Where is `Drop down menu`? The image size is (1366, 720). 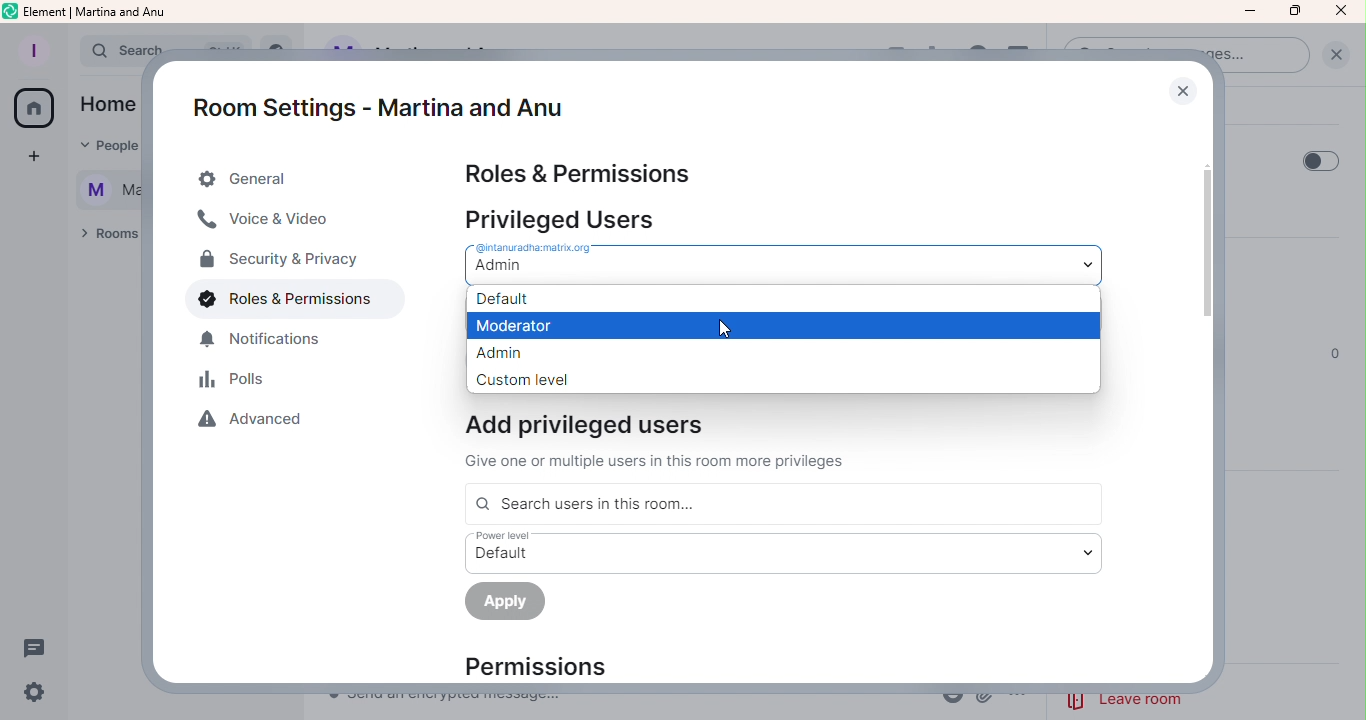 Drop down menu is located at coordinates (777, 263).